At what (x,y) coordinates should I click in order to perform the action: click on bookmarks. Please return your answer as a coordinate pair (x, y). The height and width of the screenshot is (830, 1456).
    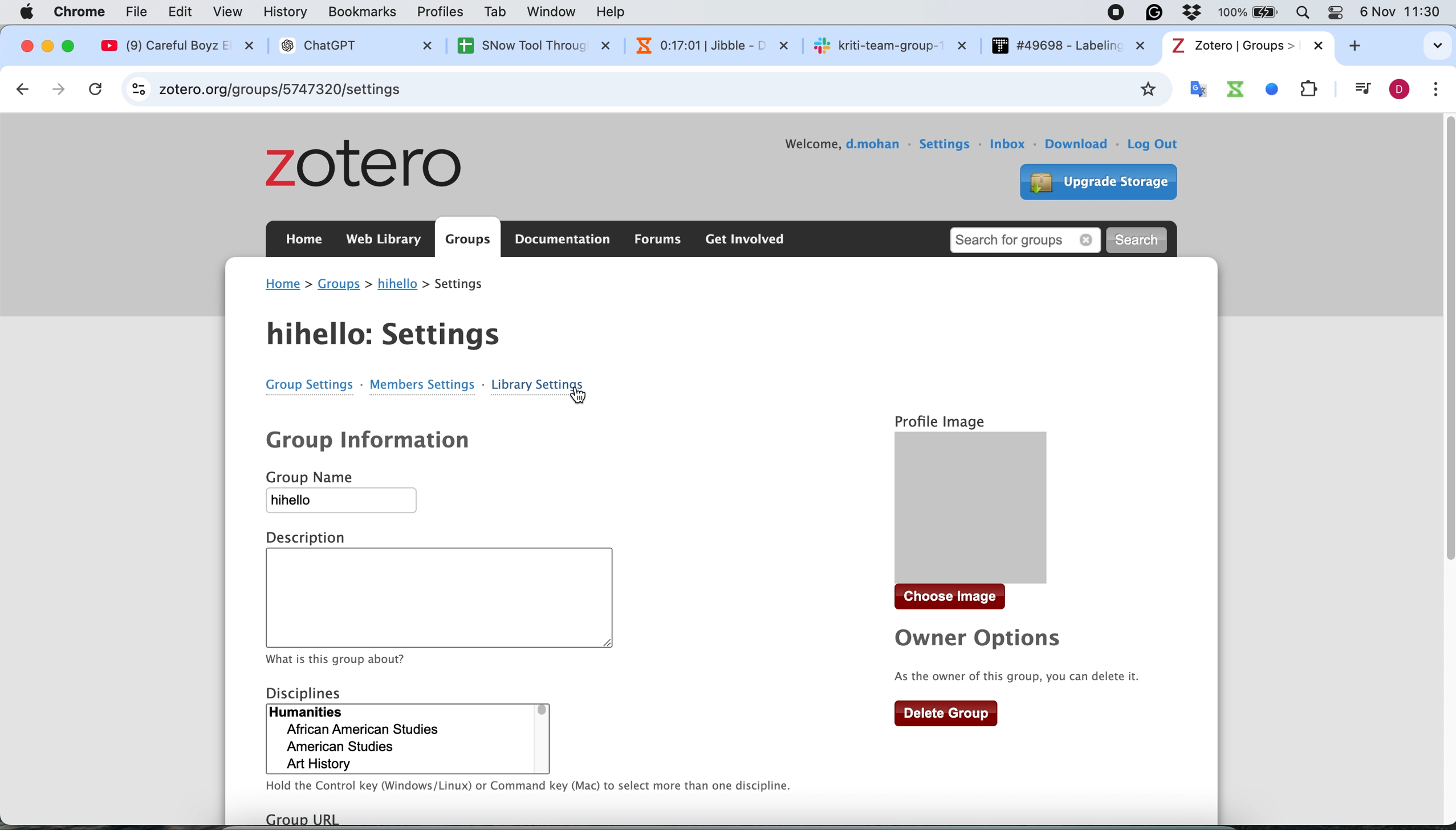
    Looking at the image, I should click on (363, 14).